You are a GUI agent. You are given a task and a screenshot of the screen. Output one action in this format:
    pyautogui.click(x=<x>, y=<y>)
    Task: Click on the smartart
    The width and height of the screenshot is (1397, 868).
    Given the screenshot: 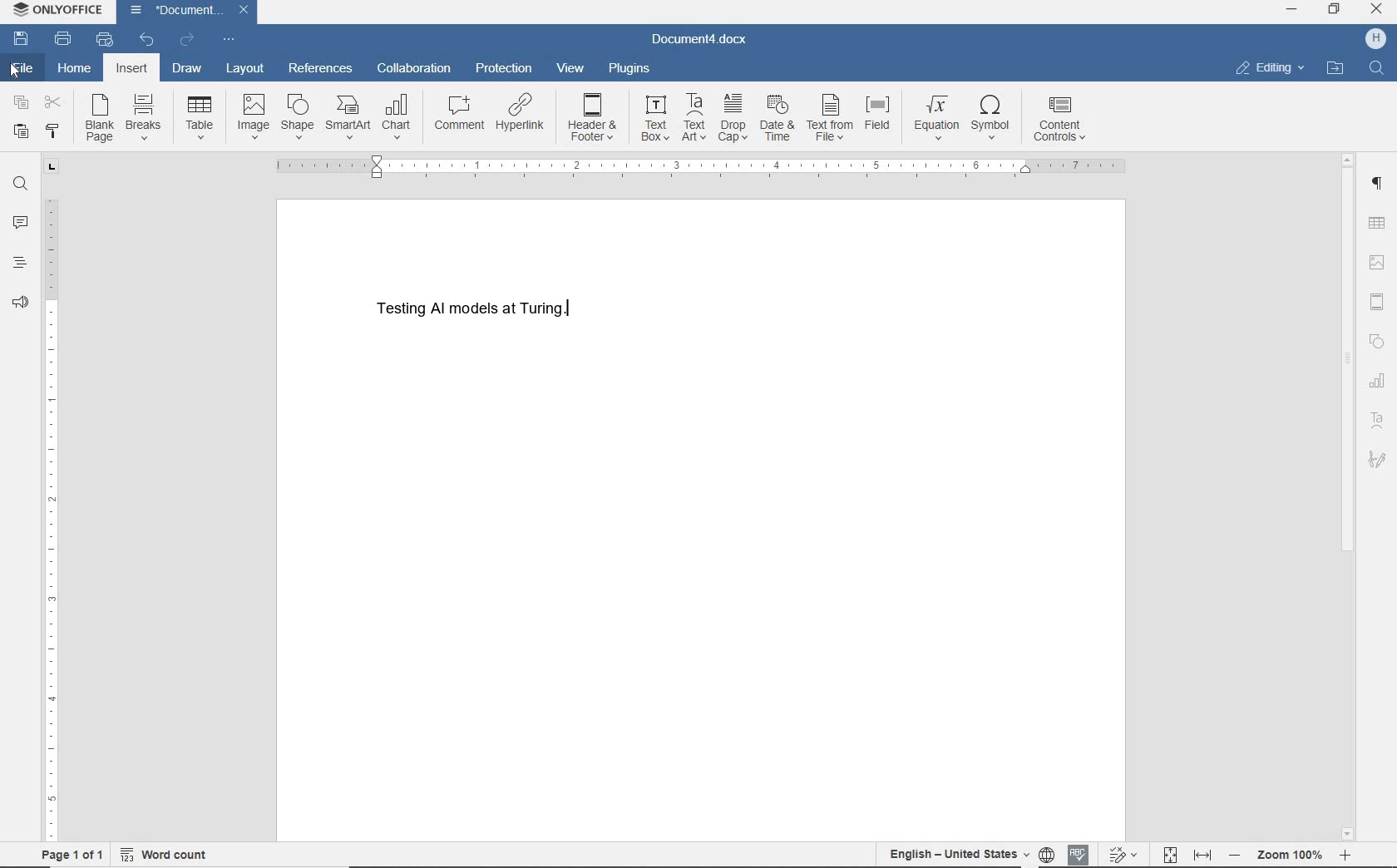 What is the action you would take?
    pyautogui.click(x=348, y=116)
    